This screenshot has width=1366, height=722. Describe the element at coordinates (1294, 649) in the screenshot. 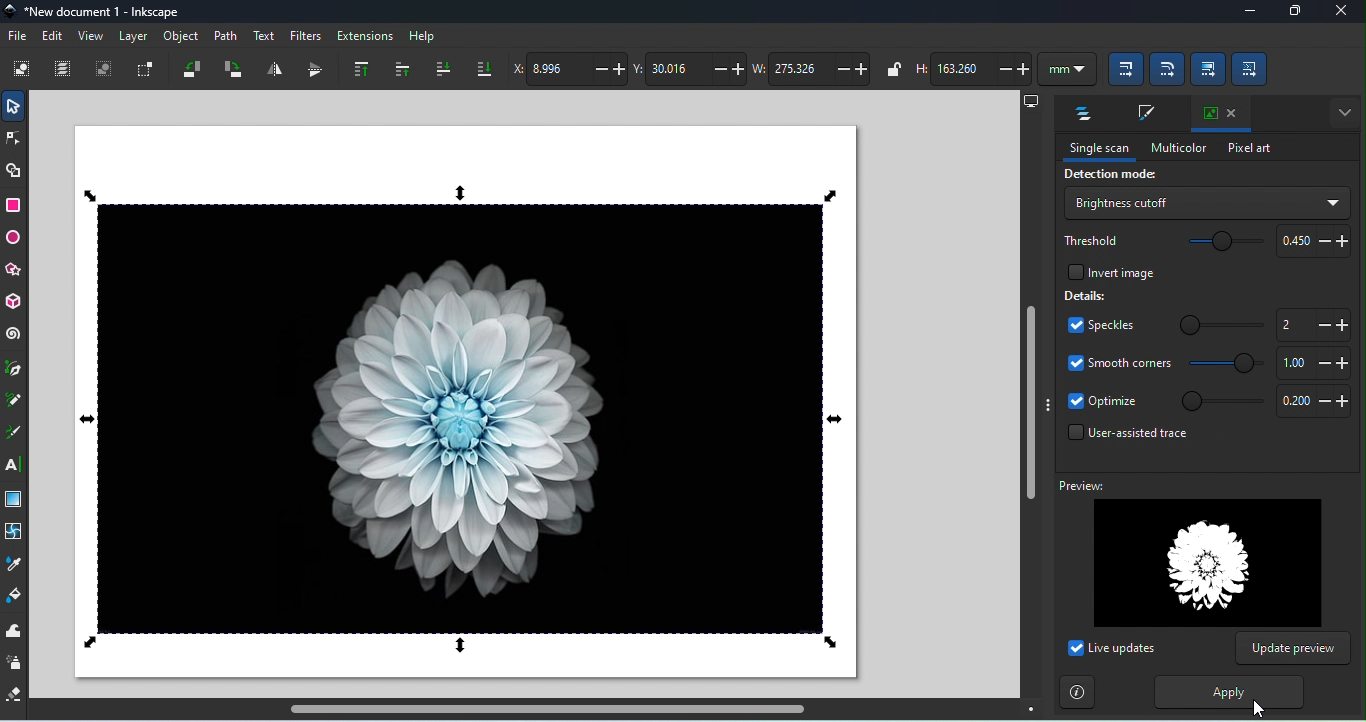

I see `Update preview` at that location.